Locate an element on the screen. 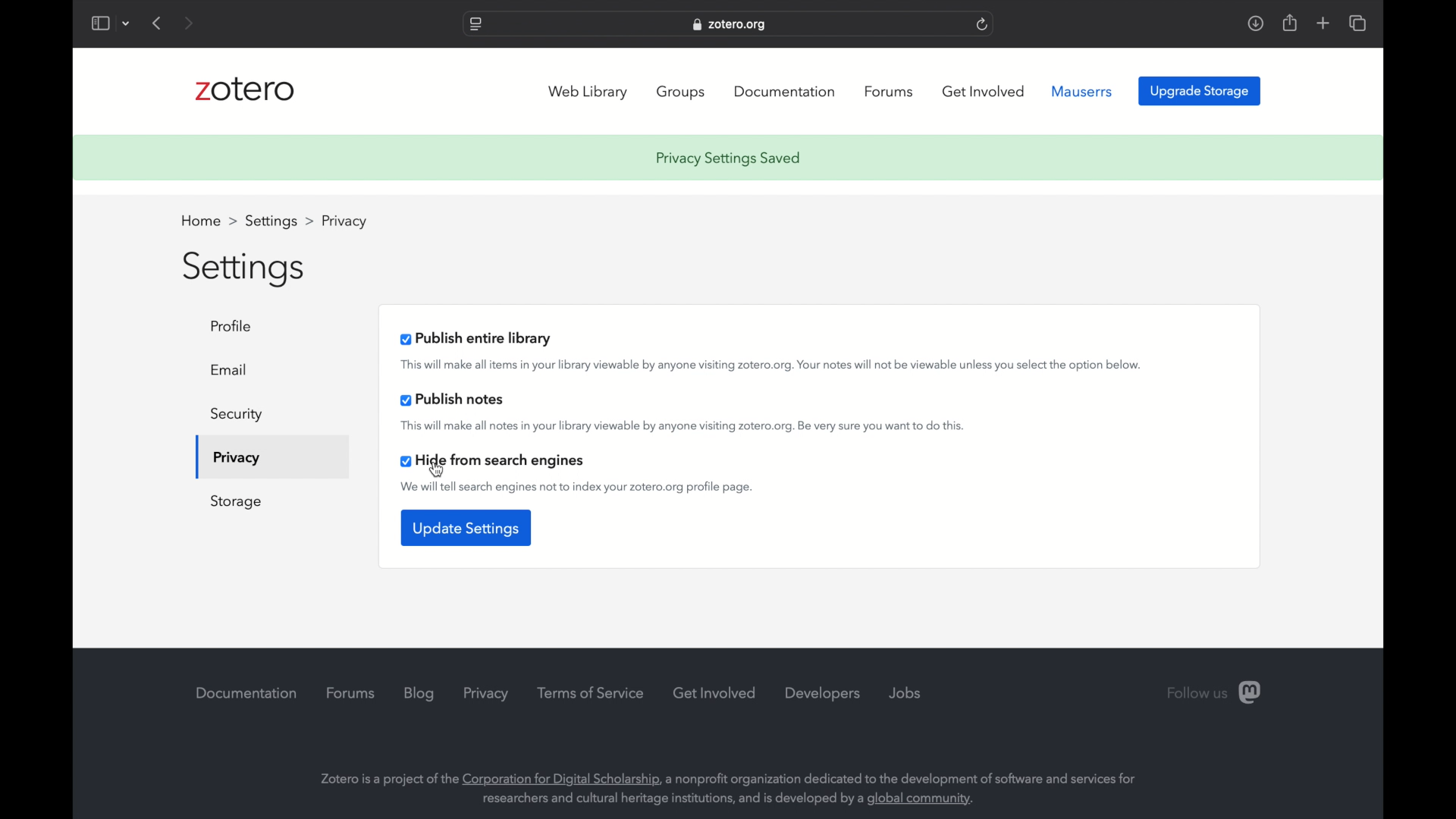 Image resolution: width=1456 pixels, height=819 pixels. dropdown is located at coordinates (127, 24).